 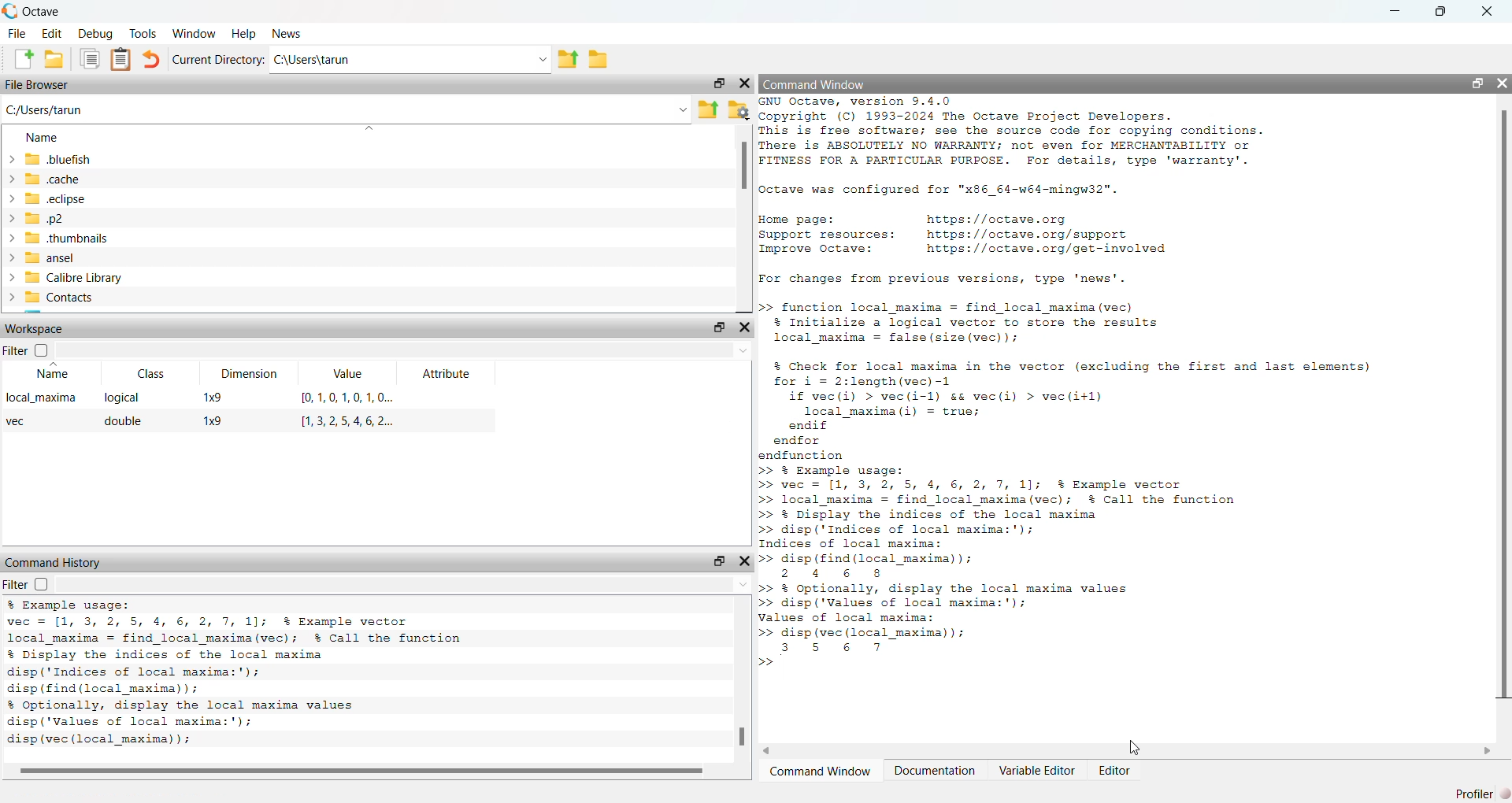 I want to click on minimize, so click(x=1395, y=11).